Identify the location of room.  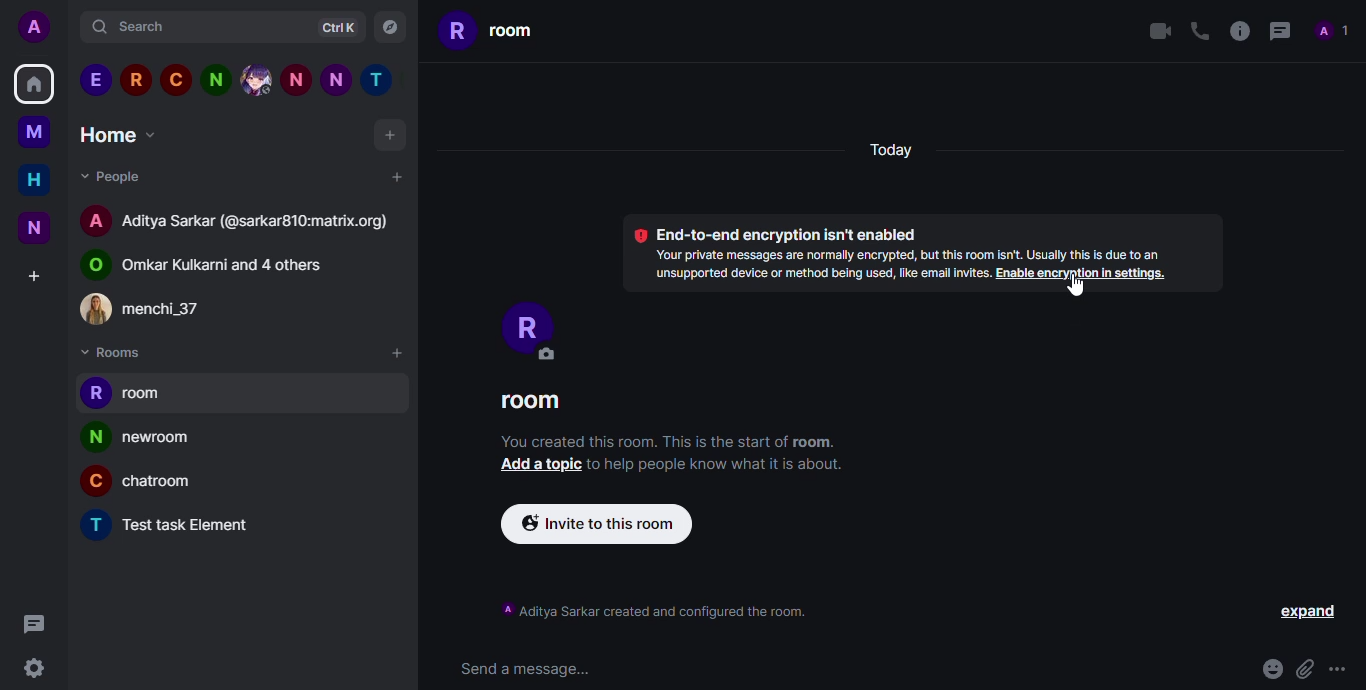
(162, 442).